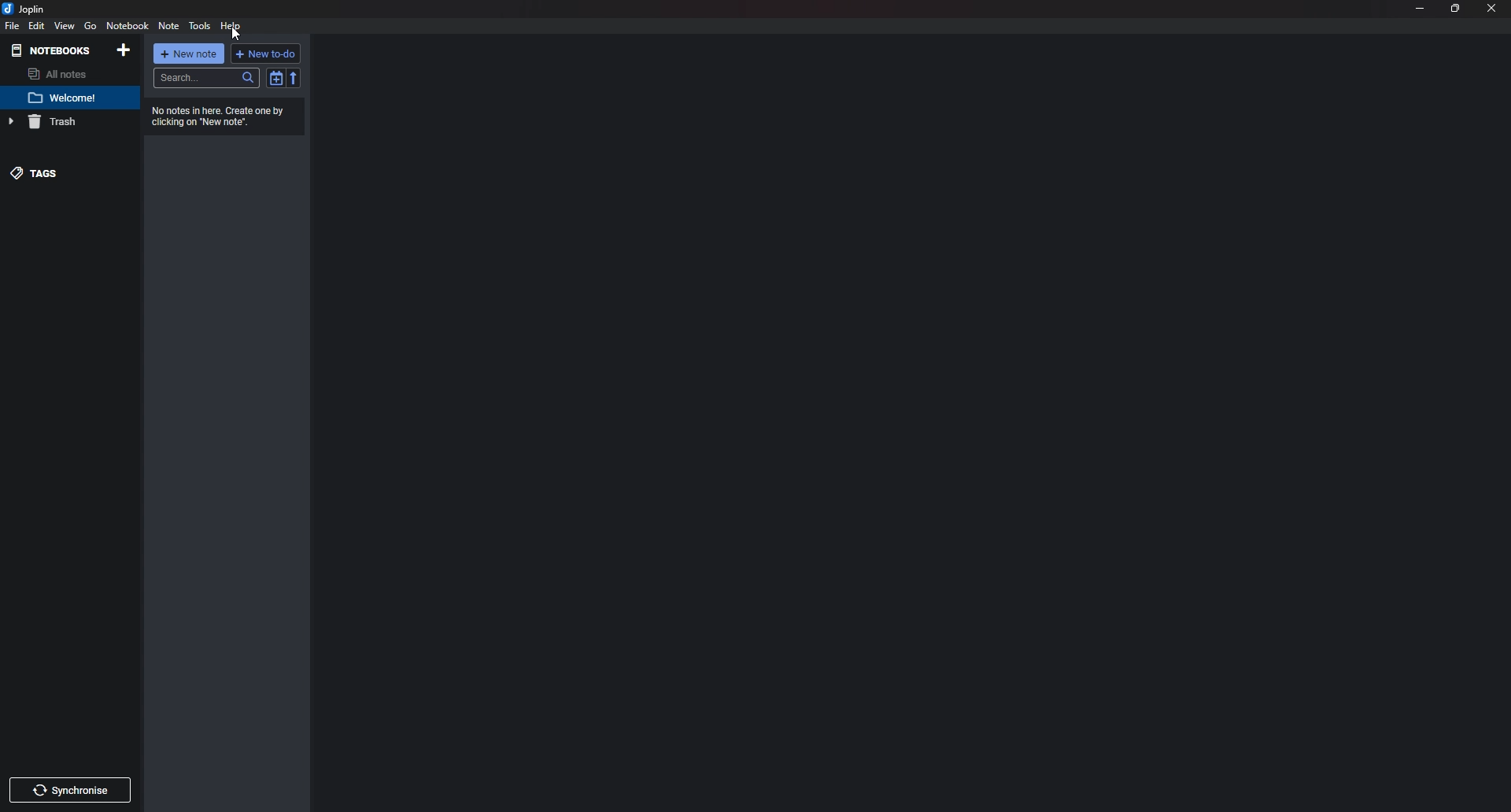 This screenshot has width=1511, height=812. What do you see at coordinates (188, 54) in the screenshot?
I see `New note` at bounding box center [188, 54].